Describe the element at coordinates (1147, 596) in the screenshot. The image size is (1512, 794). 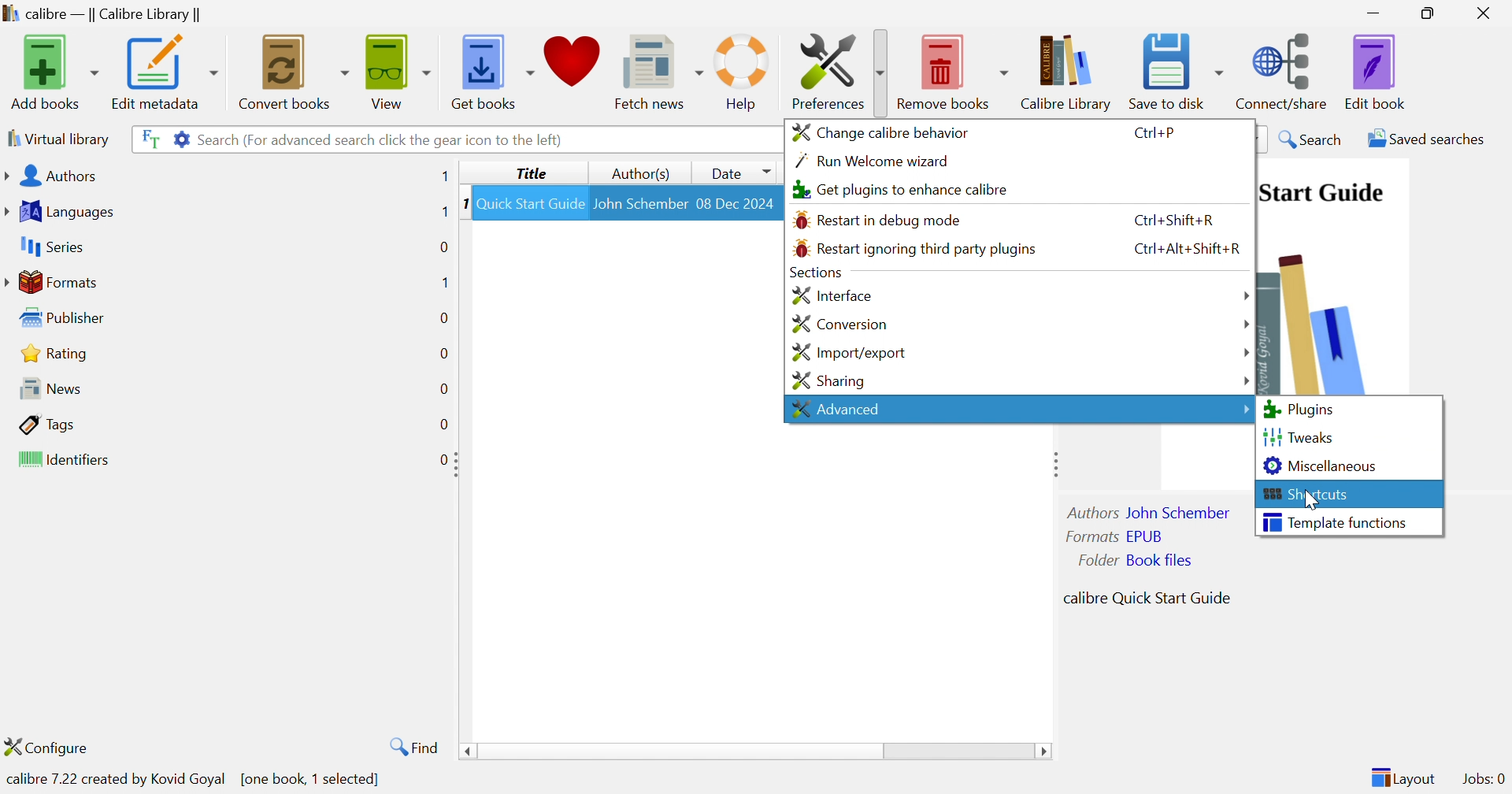
I see `calibre Quick Start Guide` at that location.